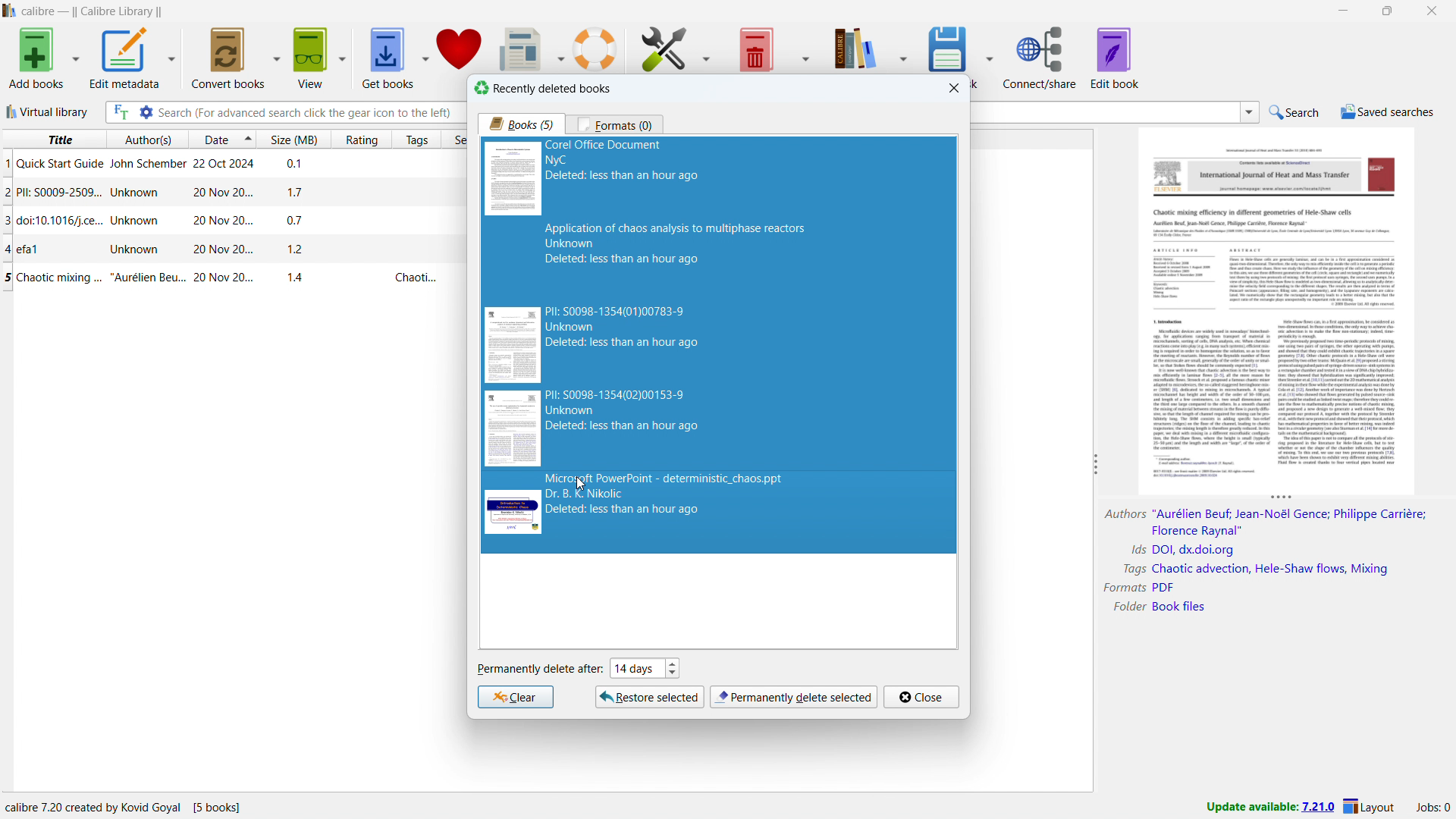 Image resolution: width=1456 pixels, height=819 pixels. What do you see at coordinates (229, 58) in the screenshot?
I see `convert books` at bounding box center [229, 58].